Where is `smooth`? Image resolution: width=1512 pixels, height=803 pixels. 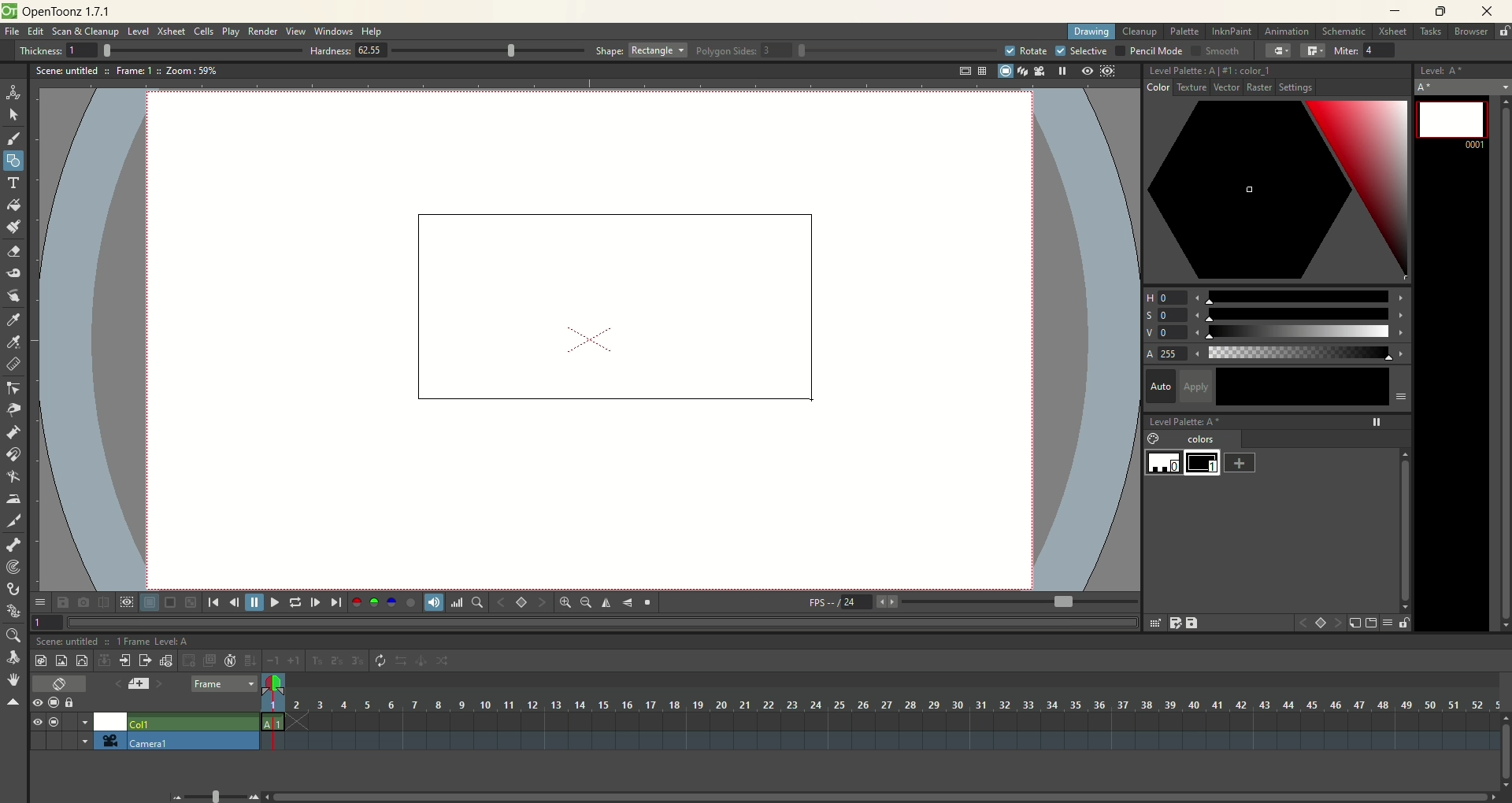 smooth is located at coordinates (1214, 52).